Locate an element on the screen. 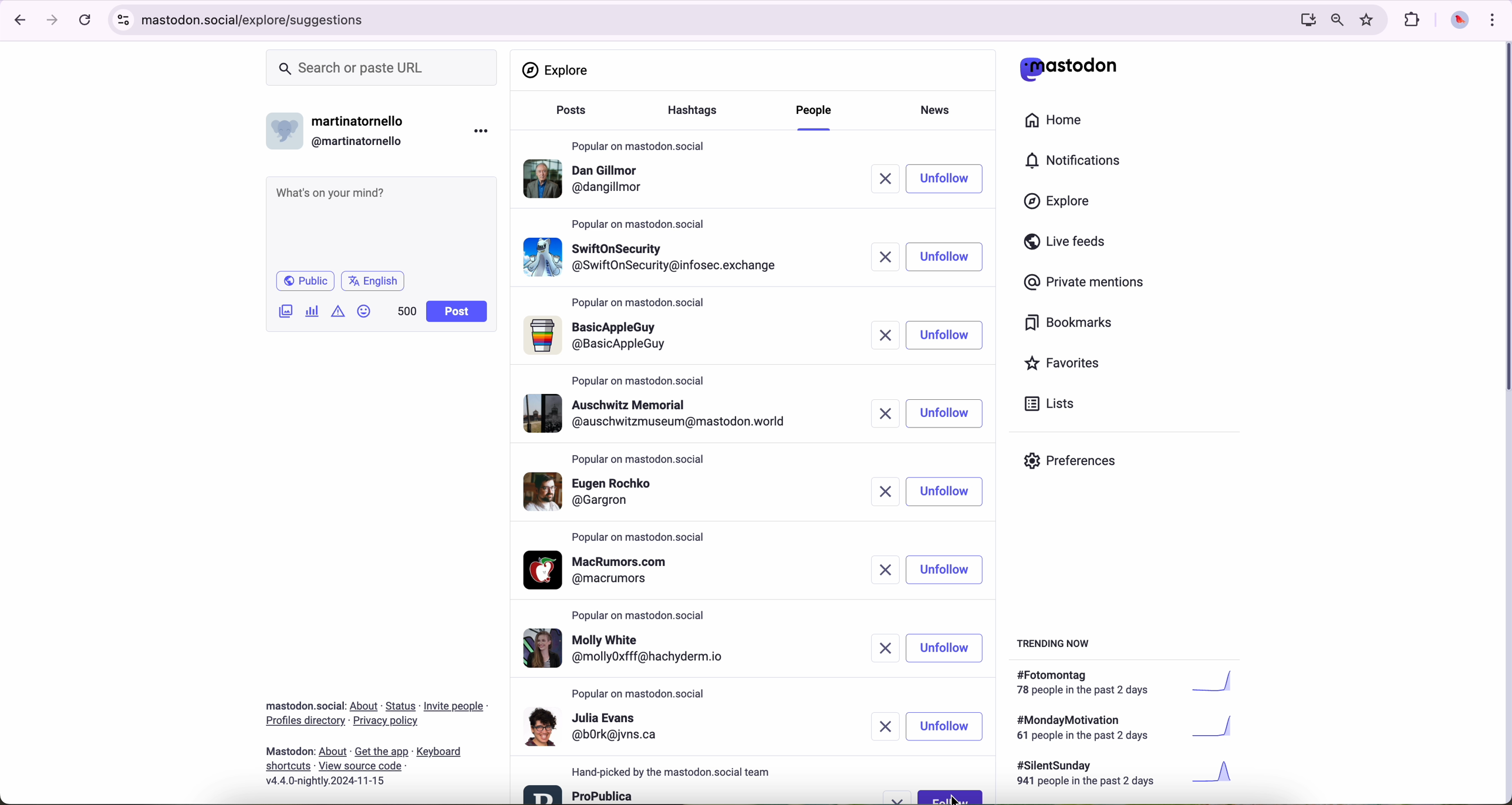  extensions is located at coordinates (1413, 20).